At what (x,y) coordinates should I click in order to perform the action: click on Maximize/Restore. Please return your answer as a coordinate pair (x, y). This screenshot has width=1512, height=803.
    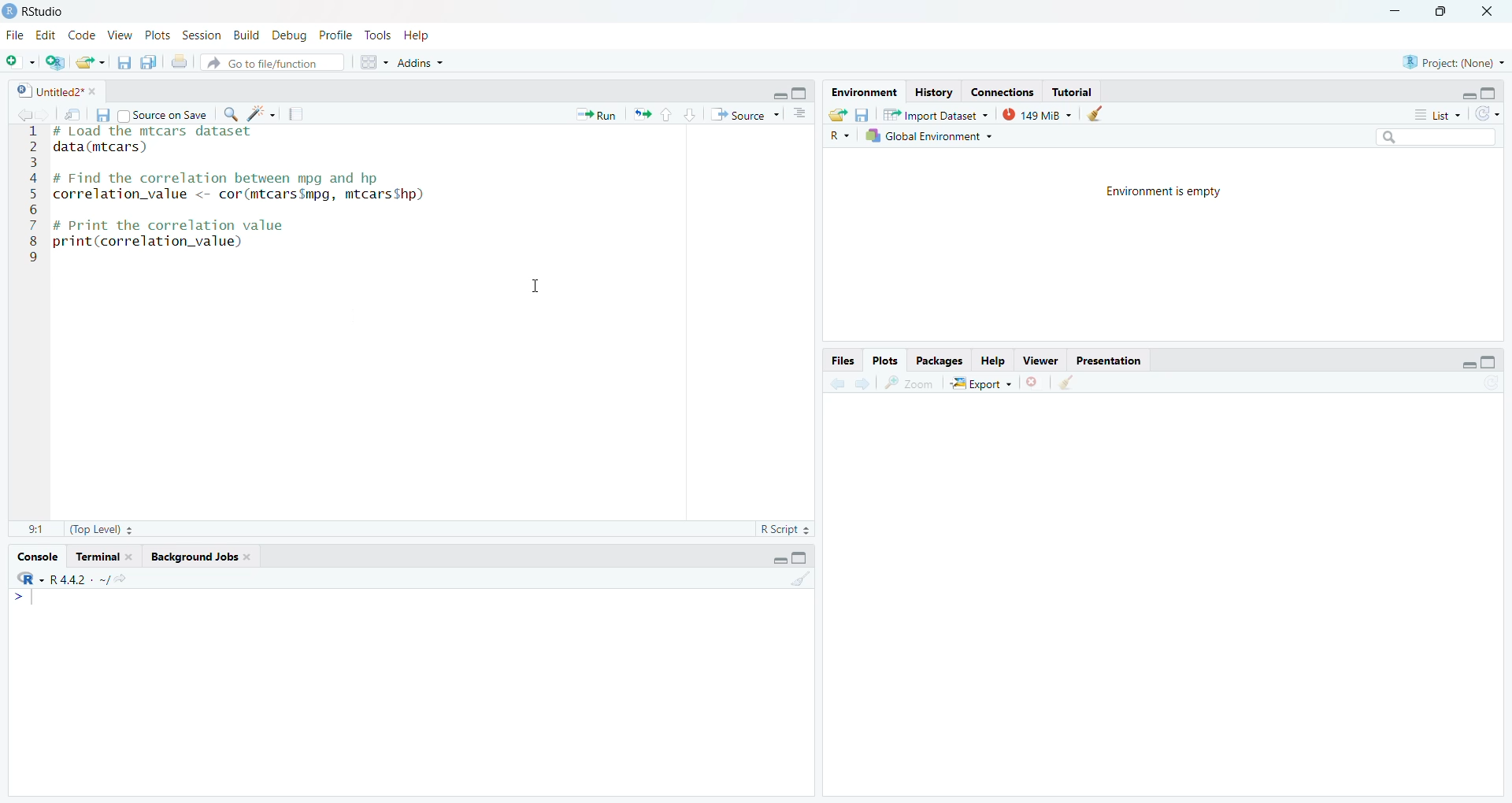
    Looking at the image, I should click on (1490, 364).